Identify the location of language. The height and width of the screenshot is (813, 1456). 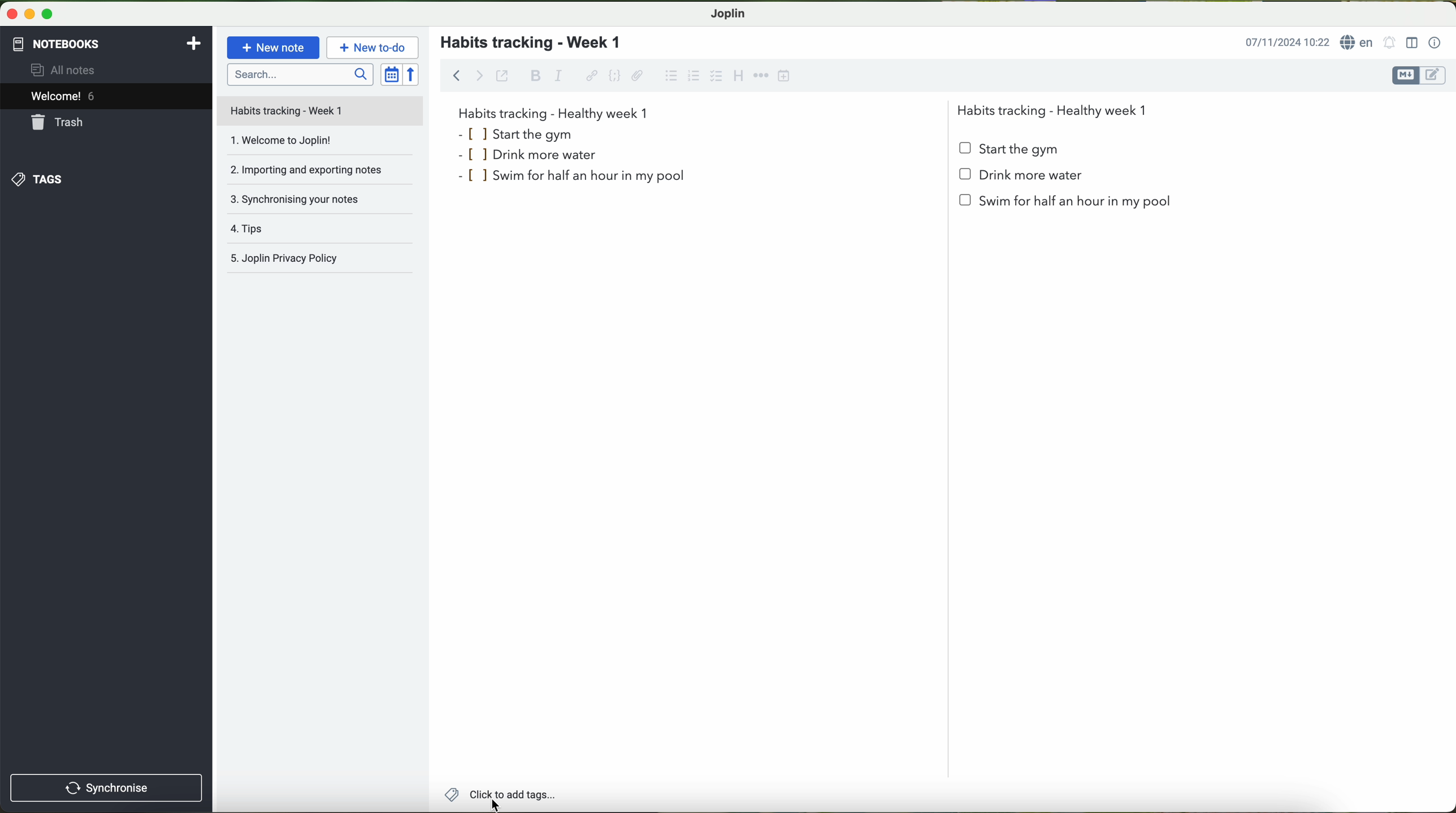
(1358, 42).